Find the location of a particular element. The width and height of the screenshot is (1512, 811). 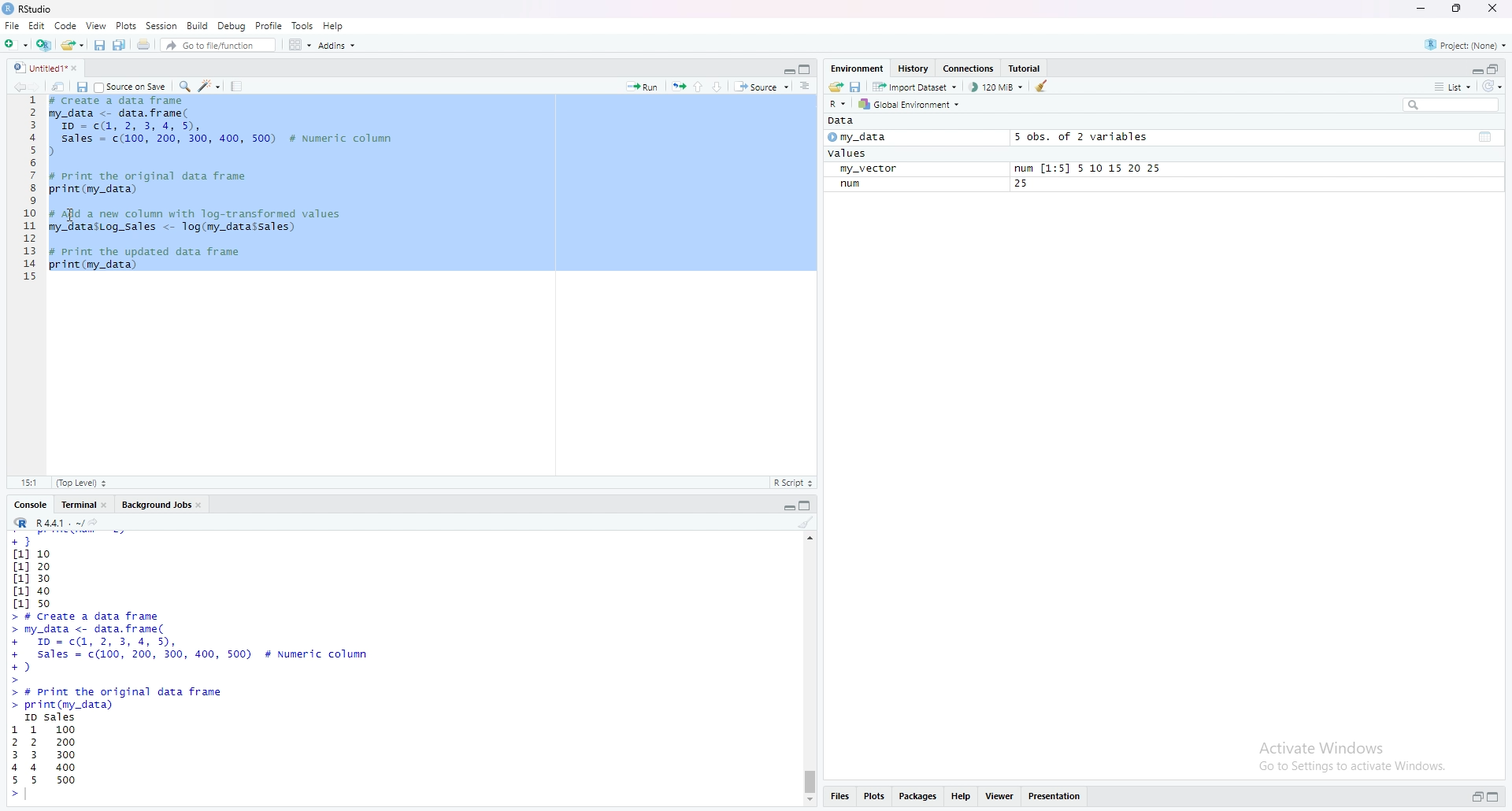

plots is located at coordinates (876, 799).